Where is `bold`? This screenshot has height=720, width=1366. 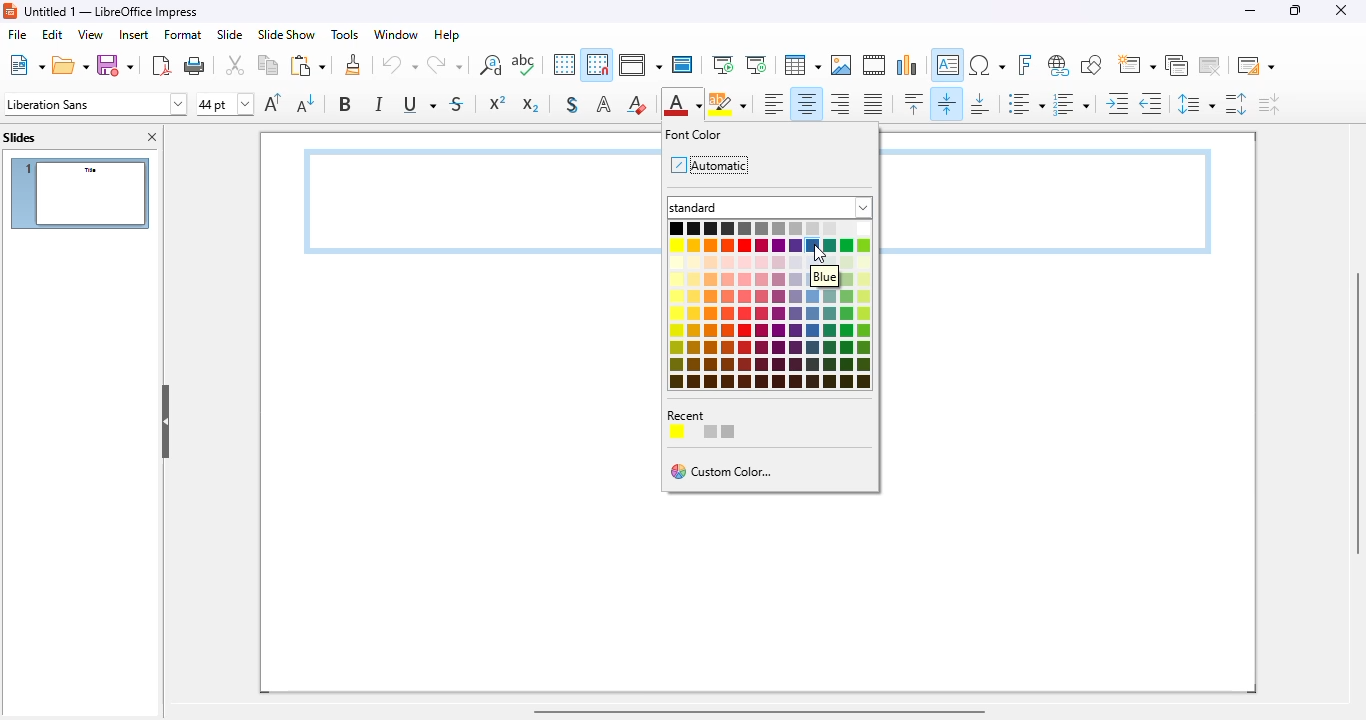 bold is located at coordinates (346, 103).